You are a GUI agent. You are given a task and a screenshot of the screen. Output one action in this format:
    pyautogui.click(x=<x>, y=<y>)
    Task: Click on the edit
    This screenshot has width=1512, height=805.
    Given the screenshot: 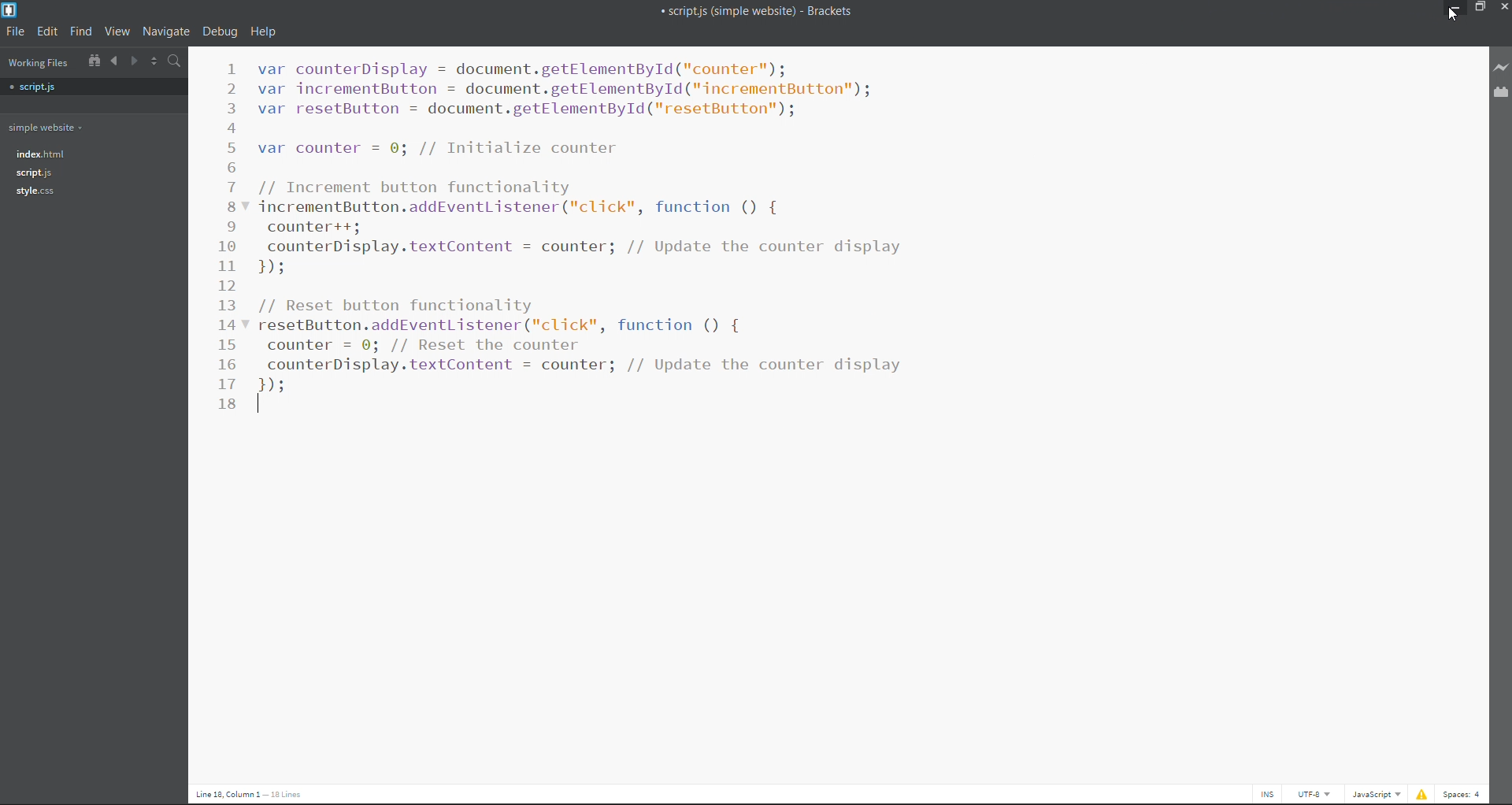 What is the action you would take?
    pyautogui.click(x=48, y=31)
    